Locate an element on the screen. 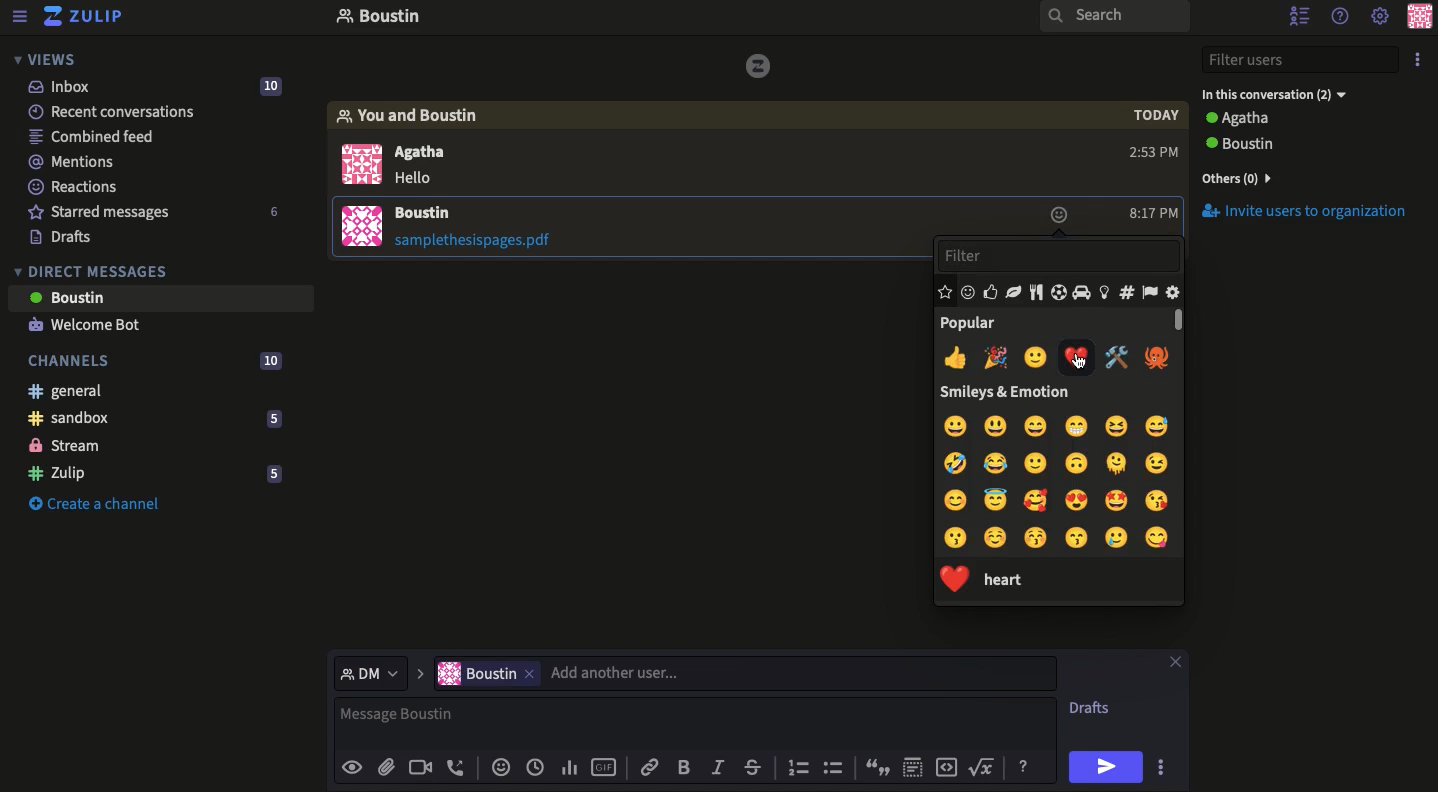  Zulip is located at coordinates (84, 15).